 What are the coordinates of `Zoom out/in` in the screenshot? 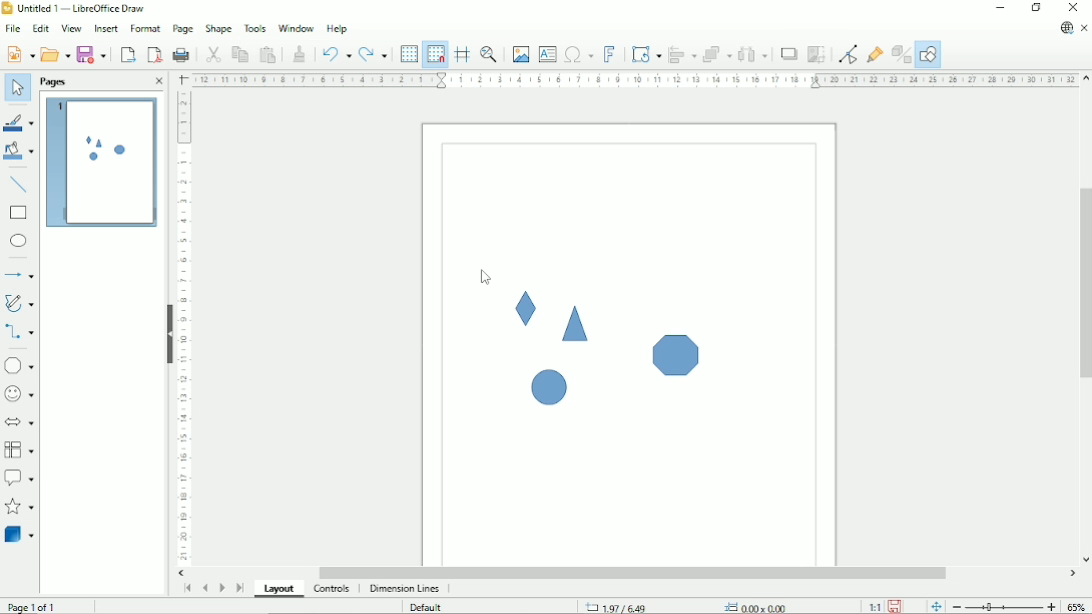 It's located at (1003, 607).